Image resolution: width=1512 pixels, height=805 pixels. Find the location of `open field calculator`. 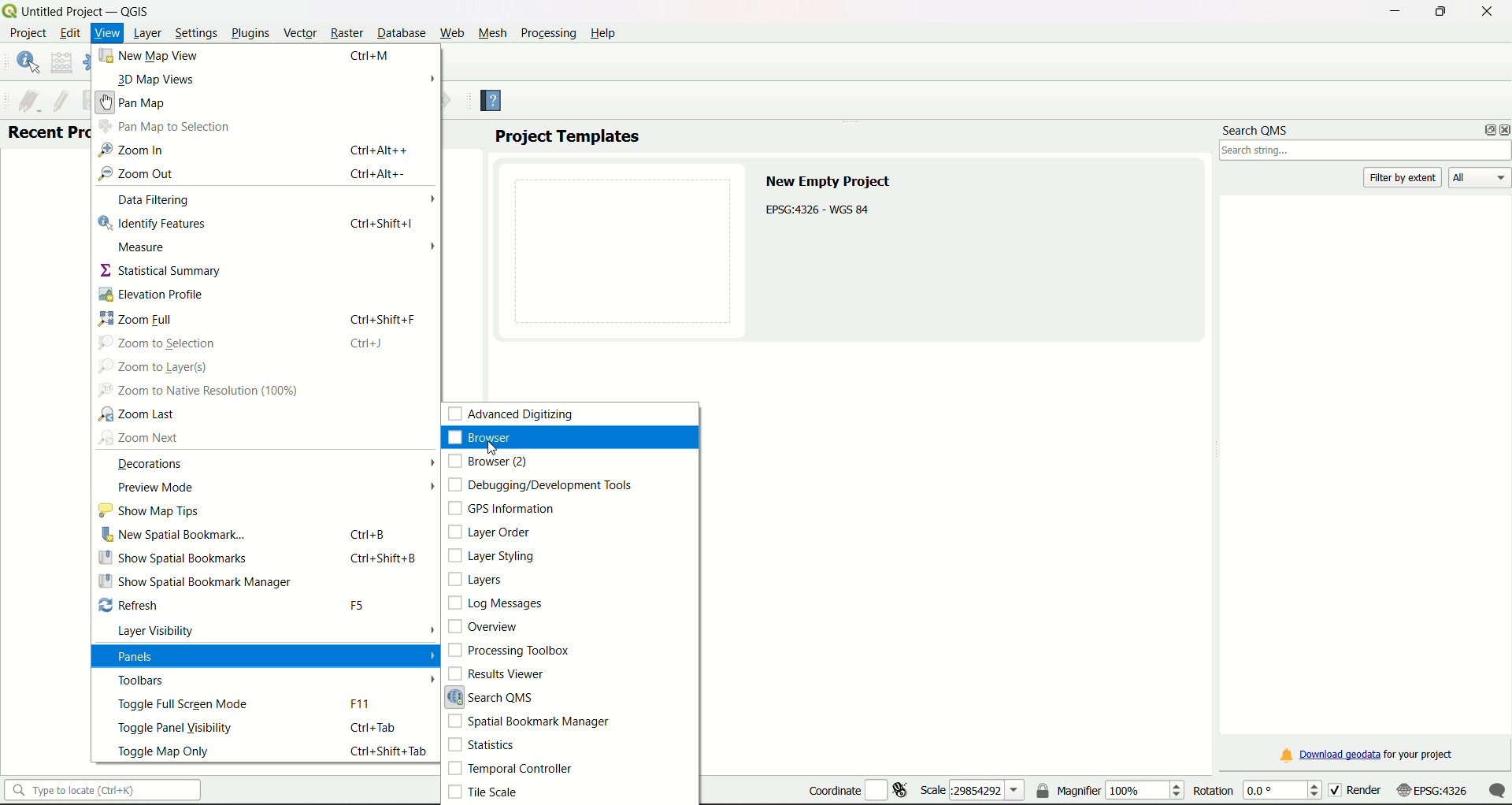

open field calculator is located at coordinates (62, 61).